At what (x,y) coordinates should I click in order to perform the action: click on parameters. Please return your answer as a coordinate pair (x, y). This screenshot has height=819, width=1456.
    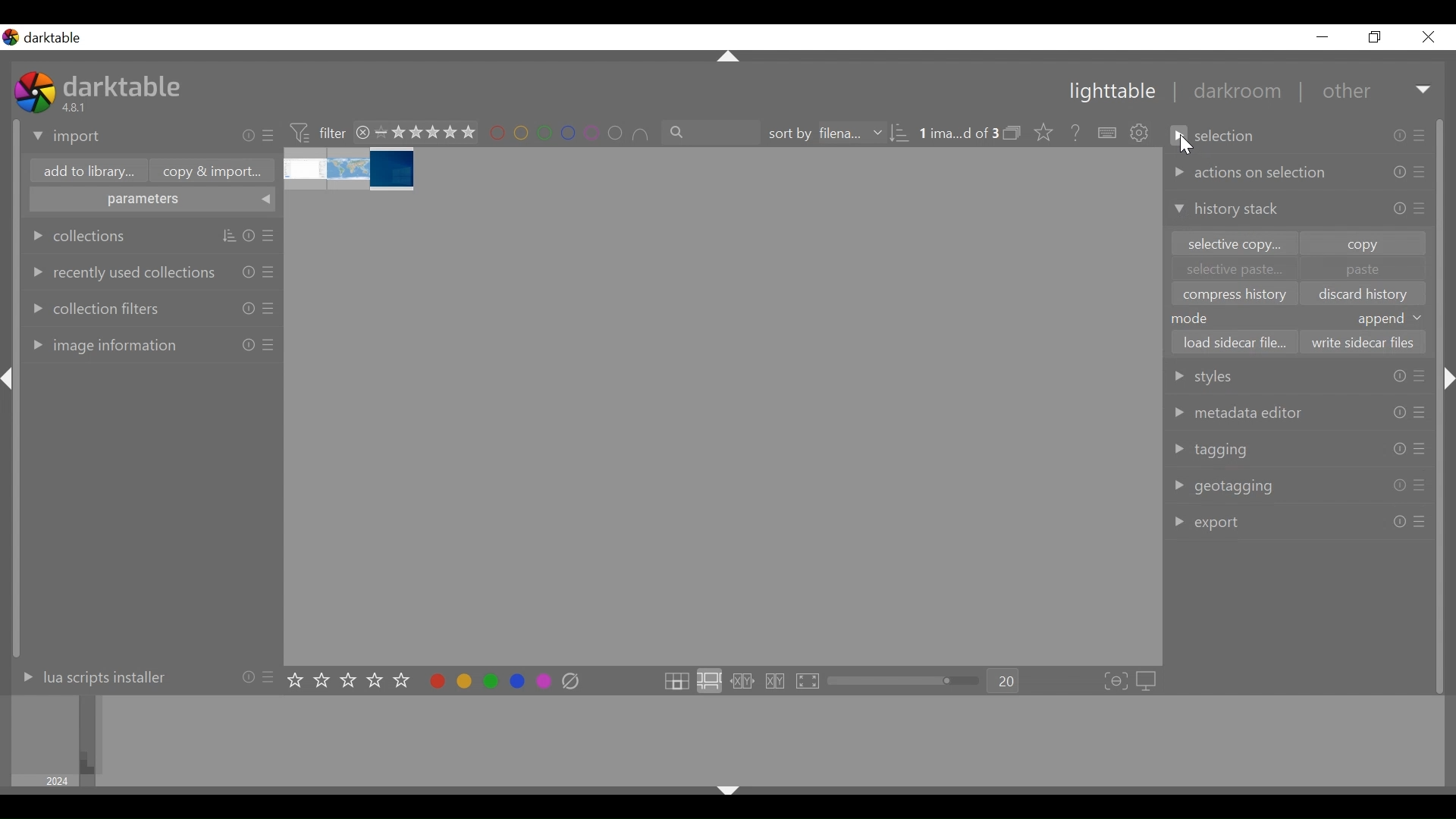
    Looking at the image, I should click on (153, 201).